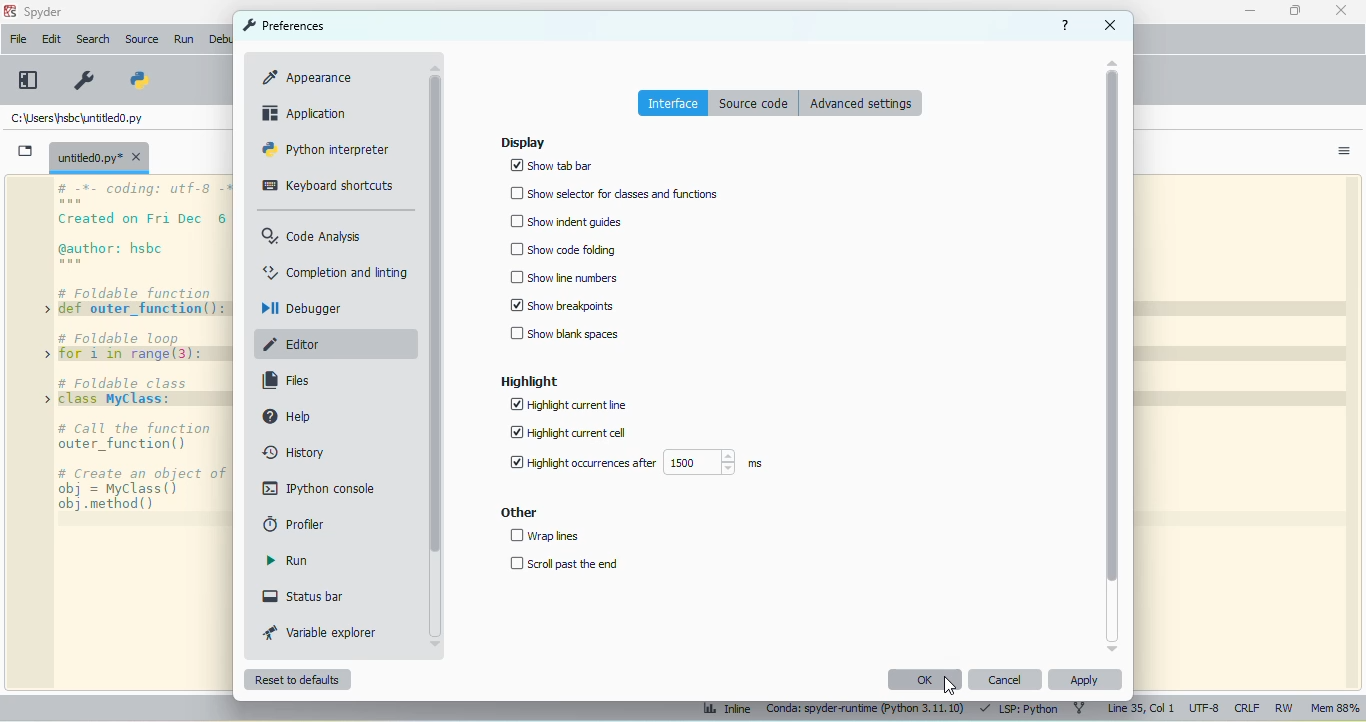 The image size is (1366, 722). Describe the element at coordinates (925, 680) in the screenshot. I see `OK` at that location.